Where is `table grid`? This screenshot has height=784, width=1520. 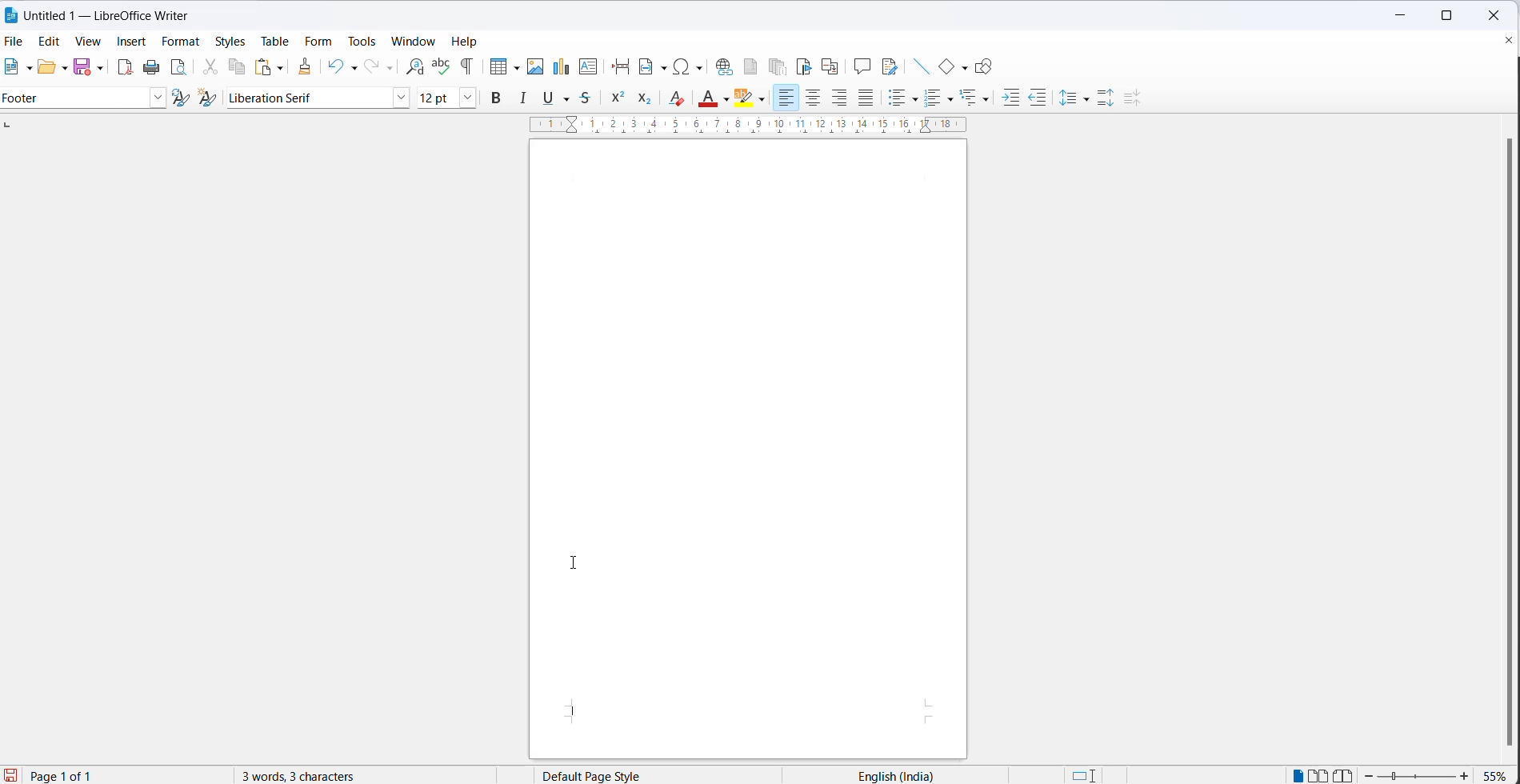 table grid is located at coordinates (514, 65).